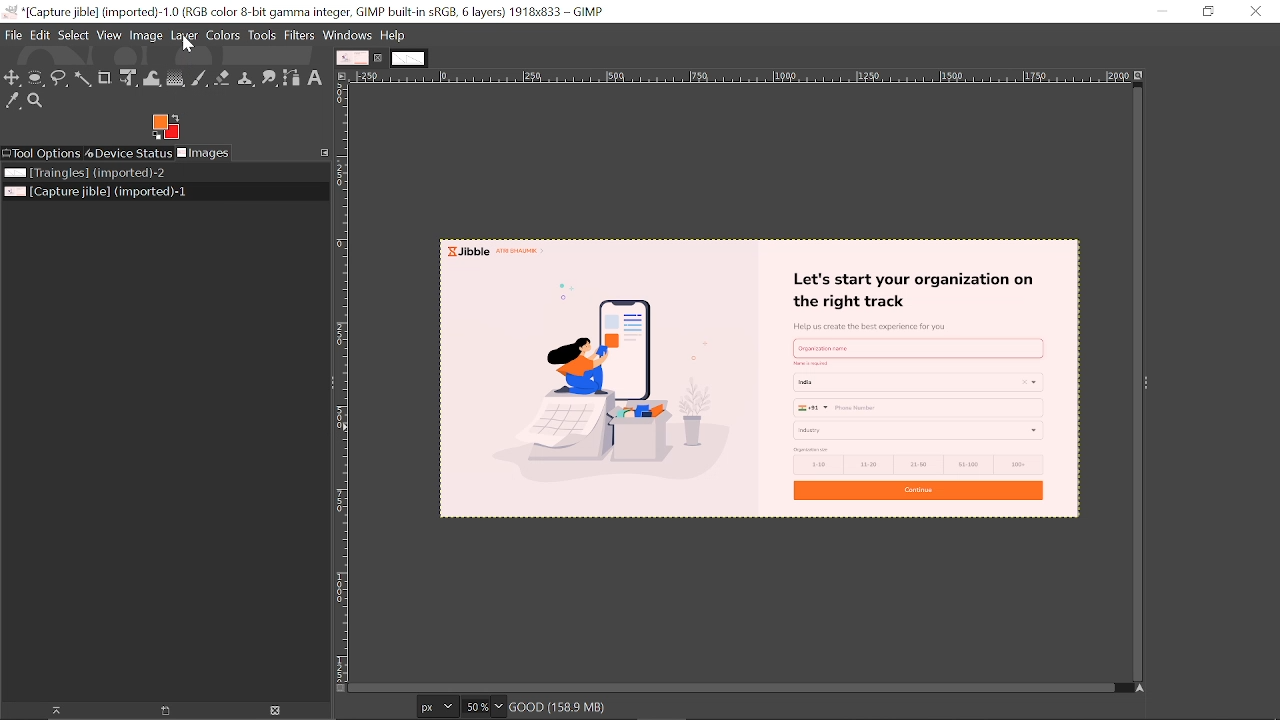 The width and height of the screenshot is (1280, 720). Describe the element at coordinates (175, 78) in the screenshot. I see `Gradient` at that location.